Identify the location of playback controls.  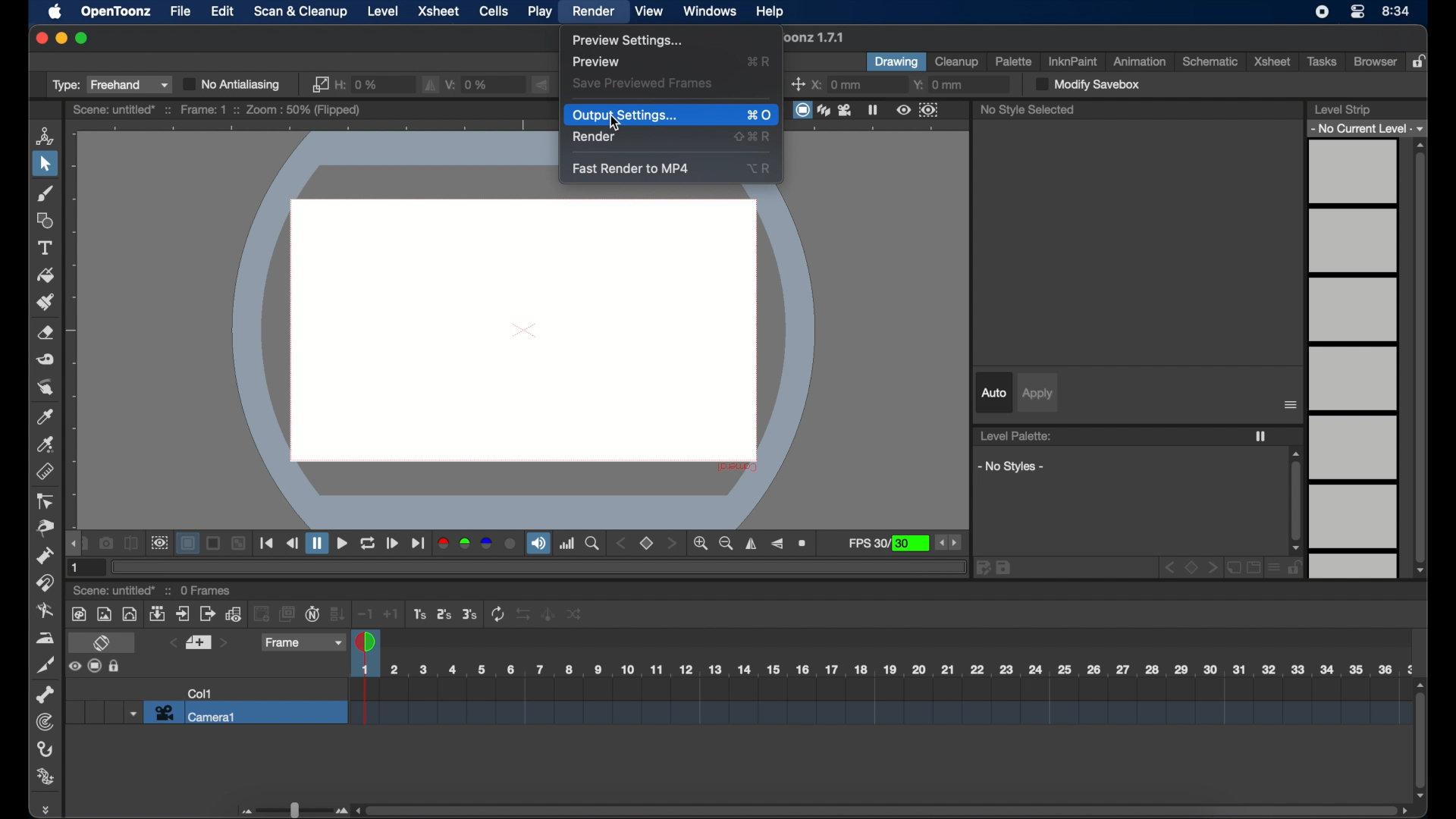
(268, 543).